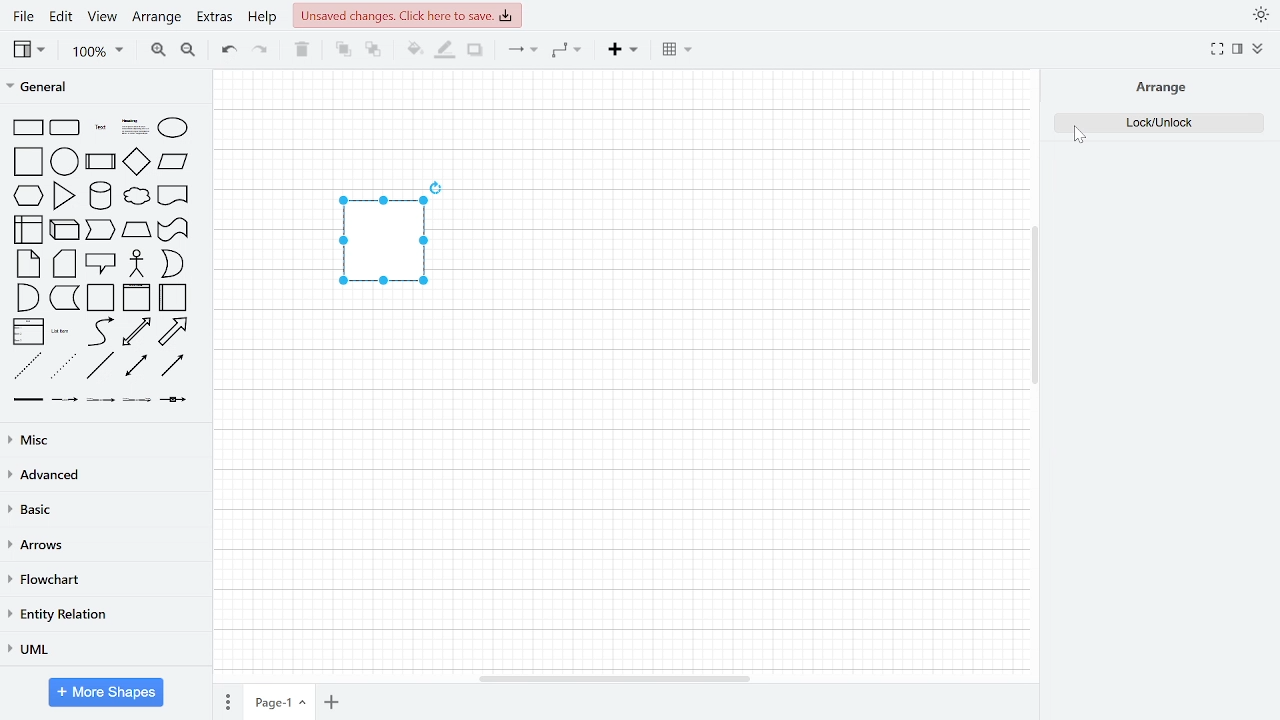  What do you see at coordinates (158, 20) in the screenshot?
I see `arrange` at bounding box center [158, 20].